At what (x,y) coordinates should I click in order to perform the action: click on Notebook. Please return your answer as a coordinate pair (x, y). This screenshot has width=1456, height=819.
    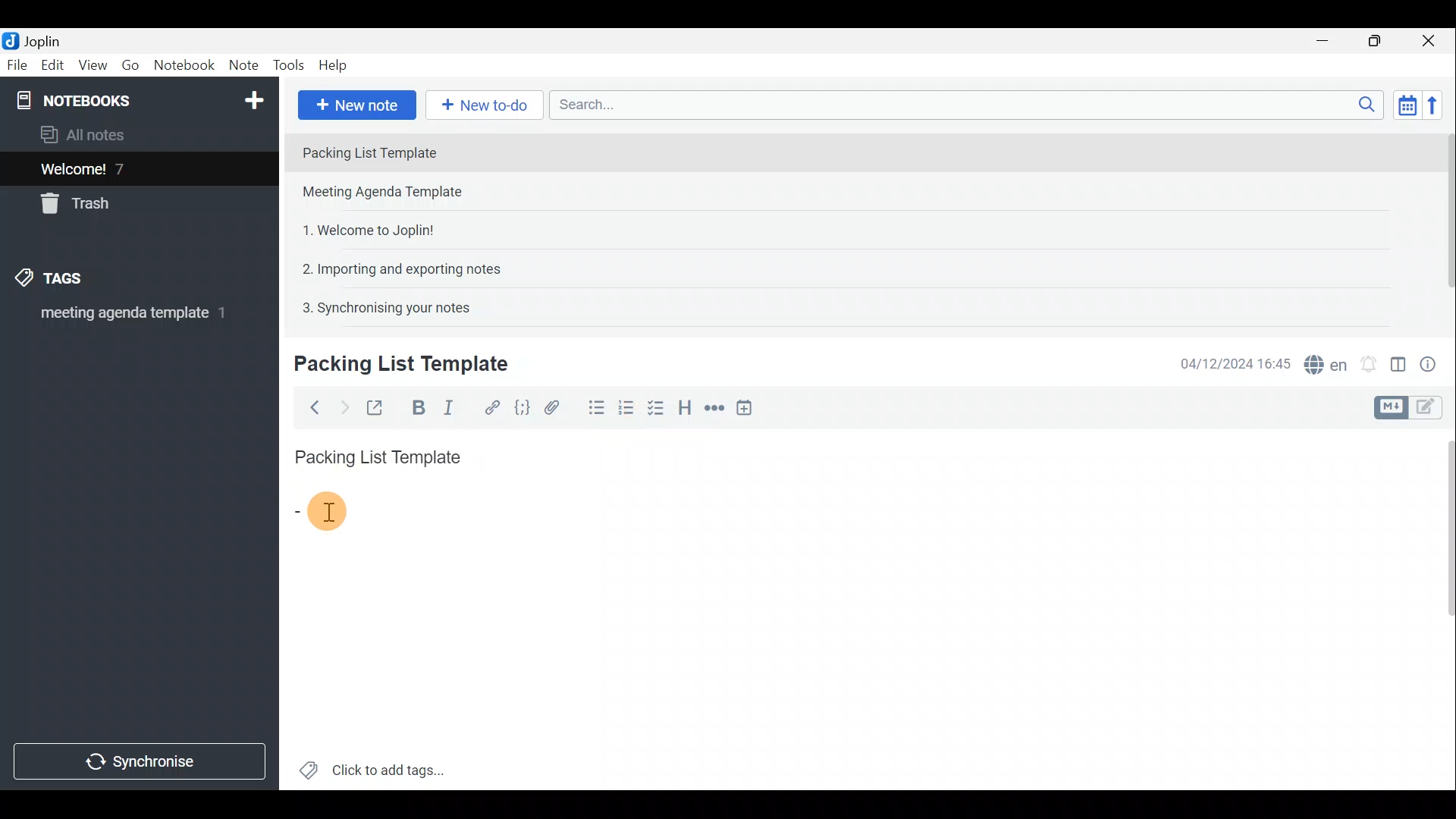
    Looking at the image, I should click on (137, 99).